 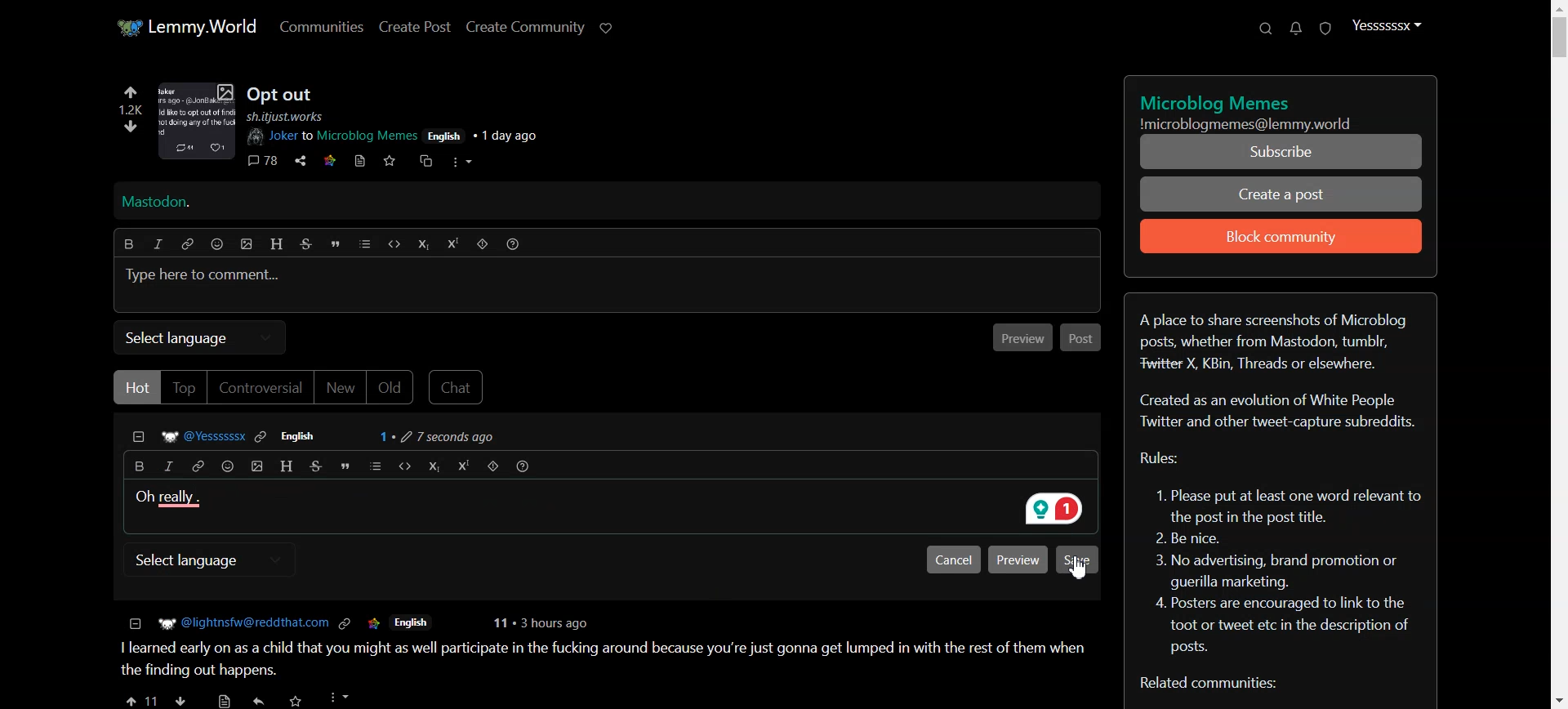 What do you see at coordinates (604, 646) in the screenshot?
I see `posts` at bounding box center [604, 646].